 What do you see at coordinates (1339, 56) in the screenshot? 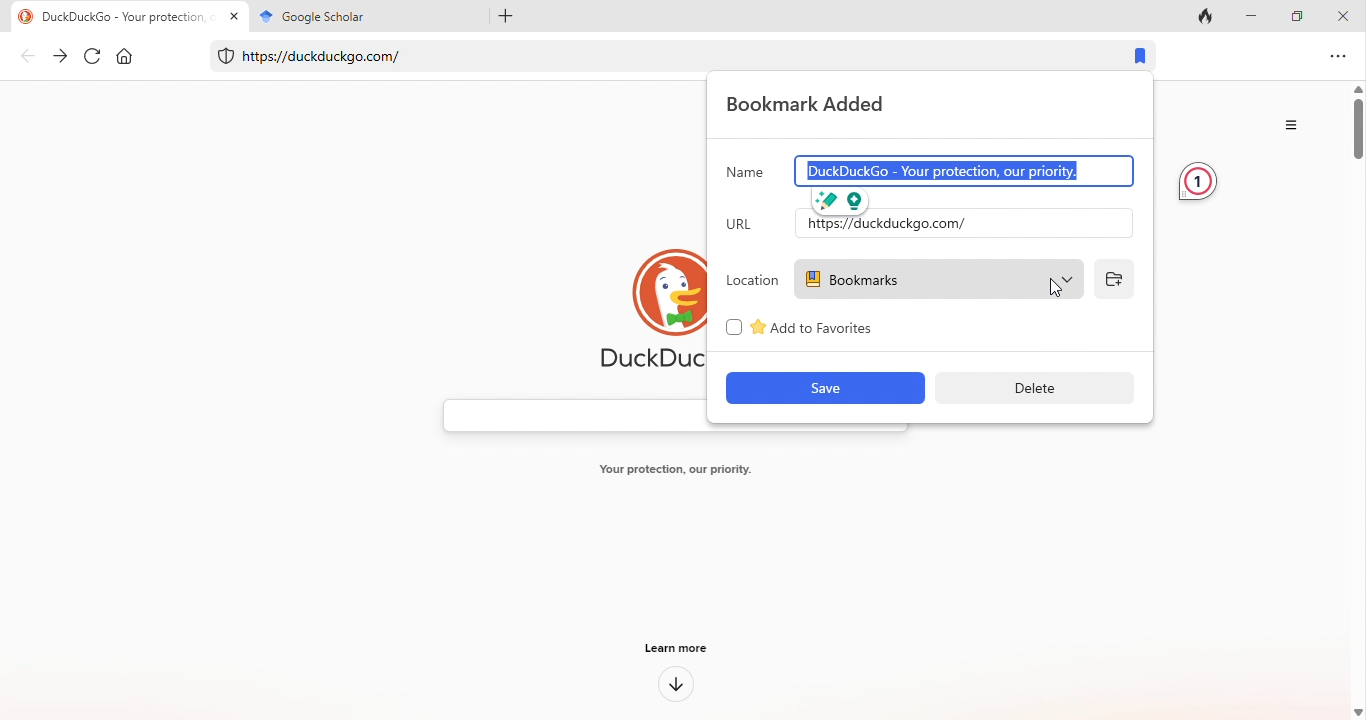
I see `options` at bounding box center [1339, 56].